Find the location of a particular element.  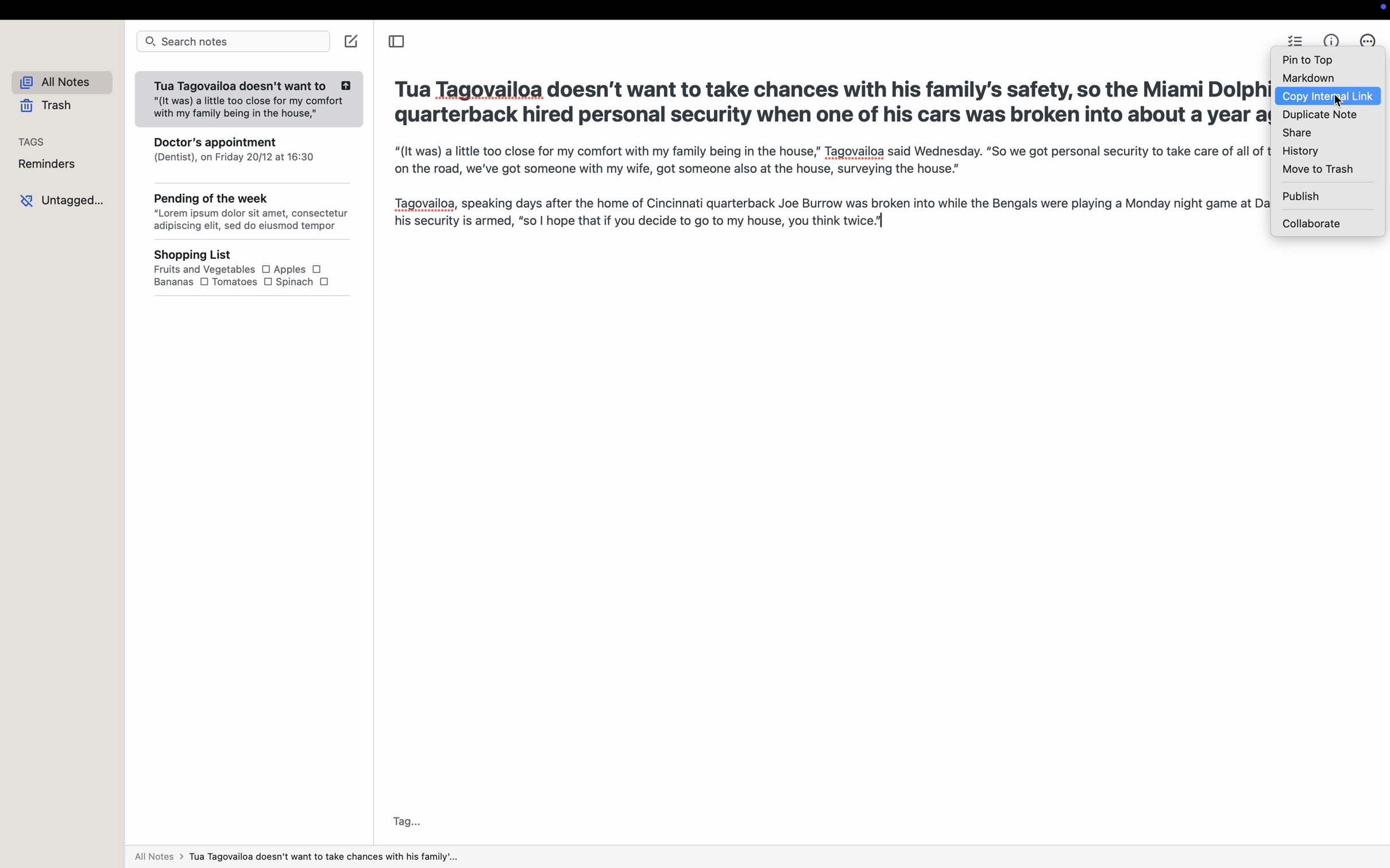

collaborate is located at coordinates (1314, 224).